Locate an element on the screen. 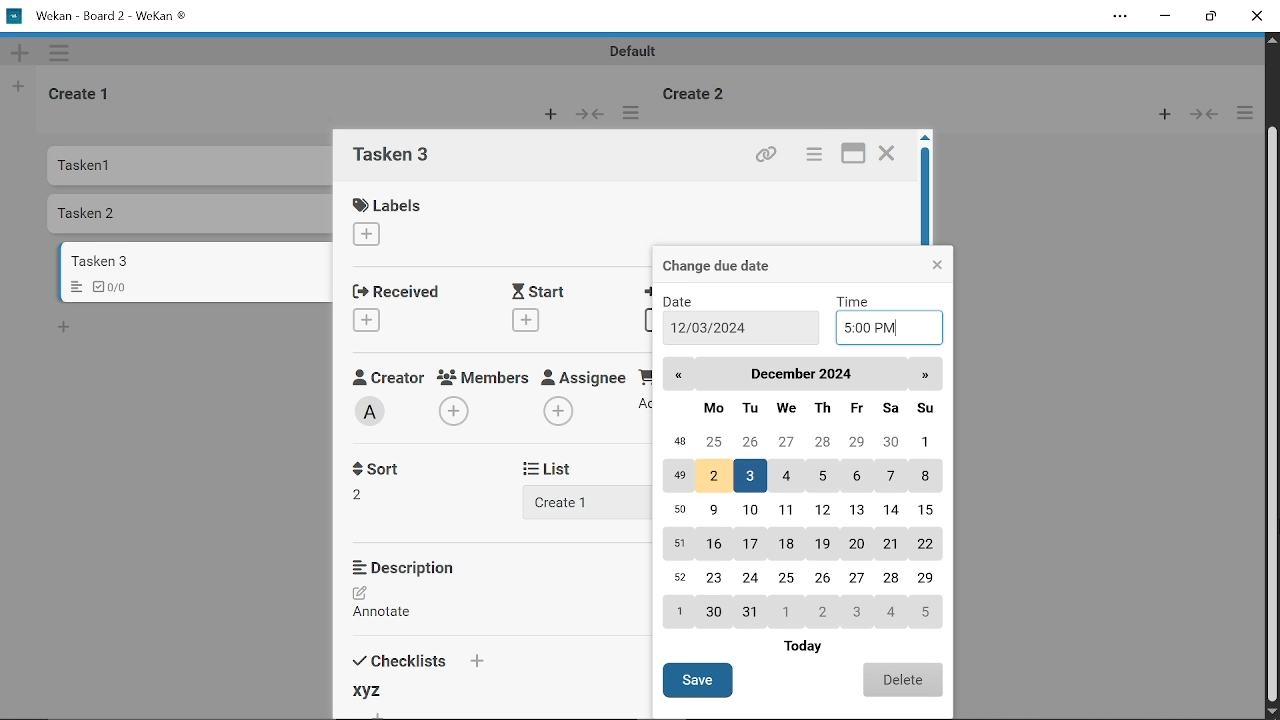 The height and width of the screenshot is (720, 1280). Vertical scrollbar is located at coordinates (1271, 415).